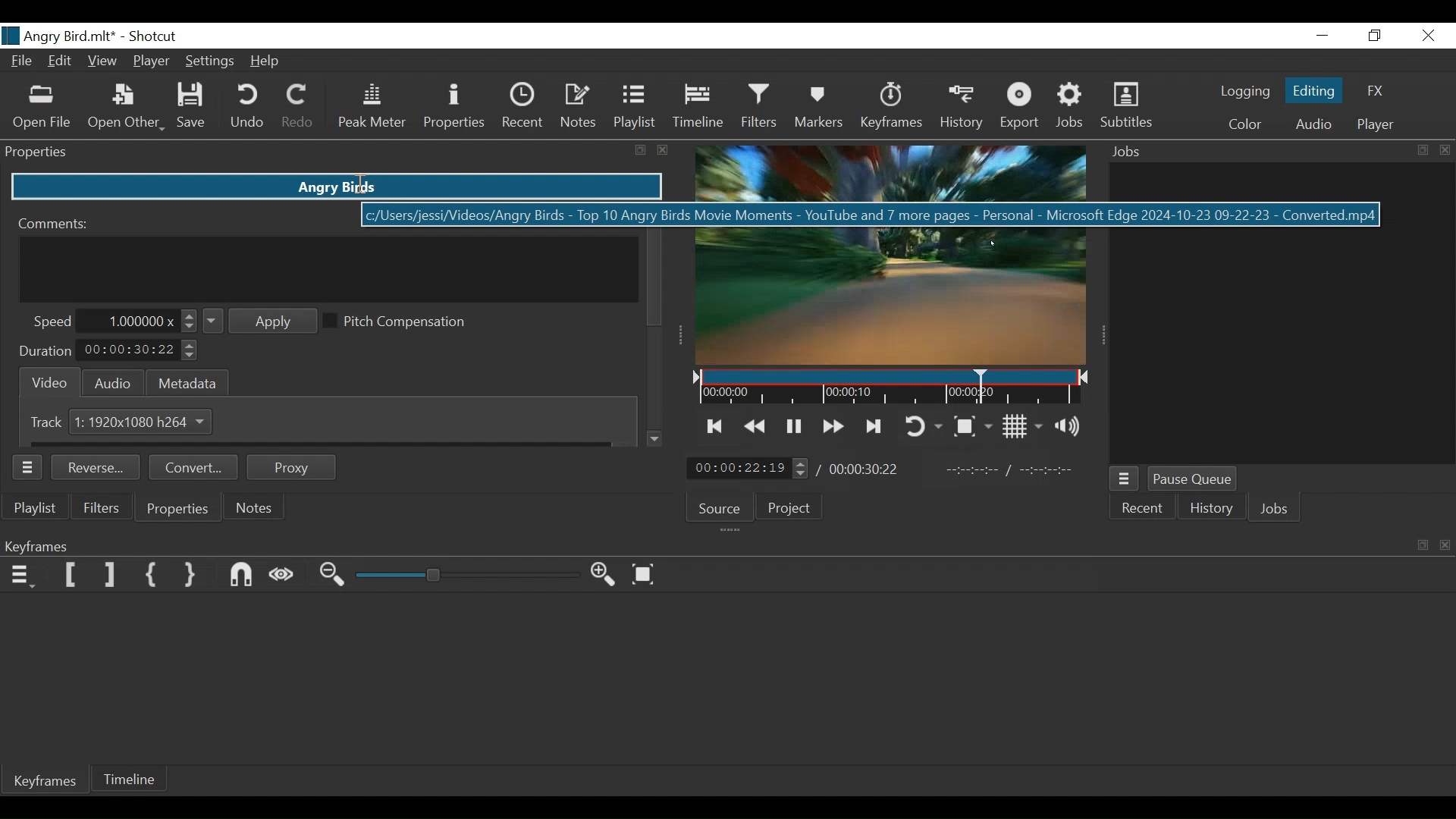  Describe the element at coordinates (925, 426) in the screenshot. I see `Toggle player looping` at that location.